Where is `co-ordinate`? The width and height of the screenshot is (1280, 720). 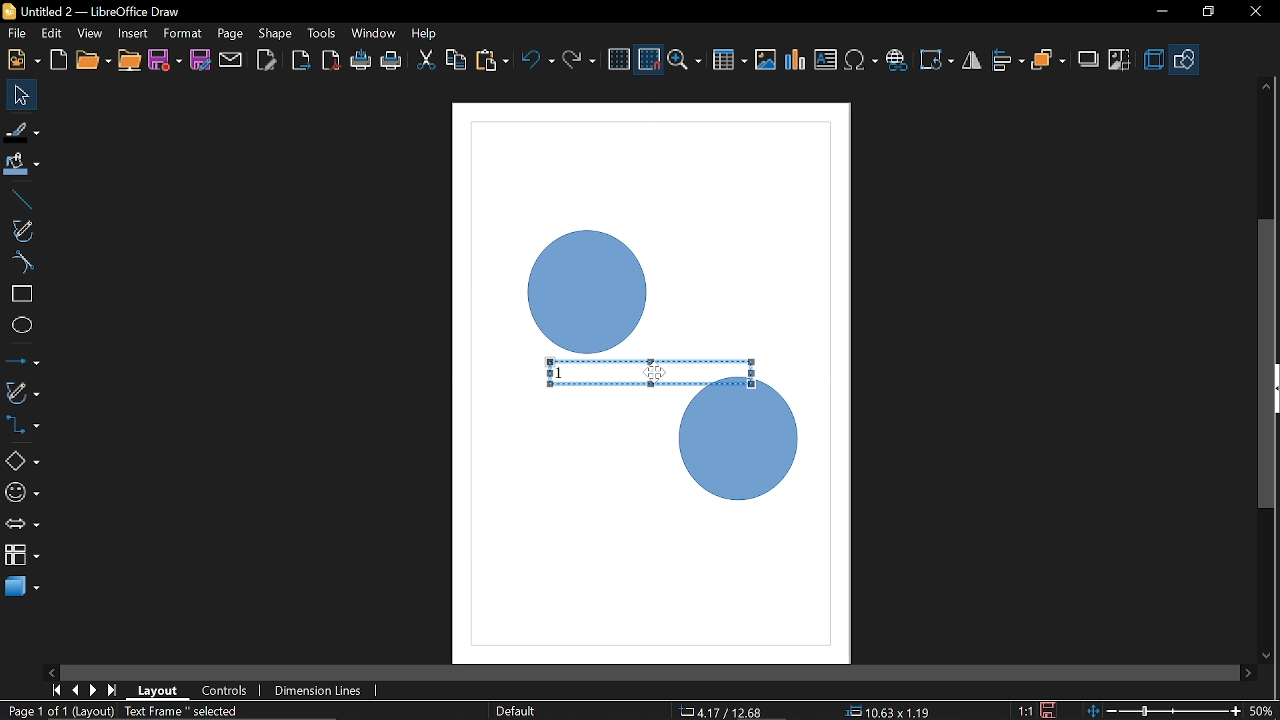
co-ordinate is located at coordinates (888, 711).